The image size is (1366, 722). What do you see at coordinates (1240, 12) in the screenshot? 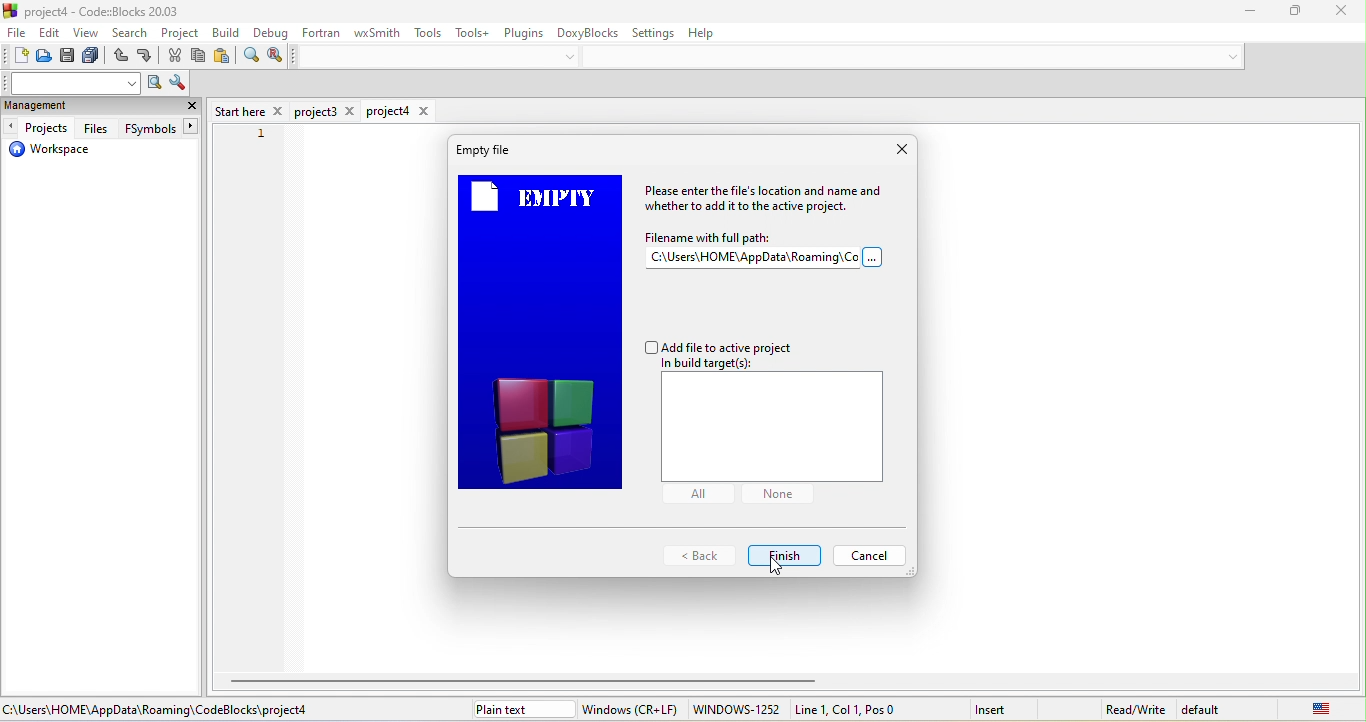
I see `minimize` at bounding box center [1240, 12].